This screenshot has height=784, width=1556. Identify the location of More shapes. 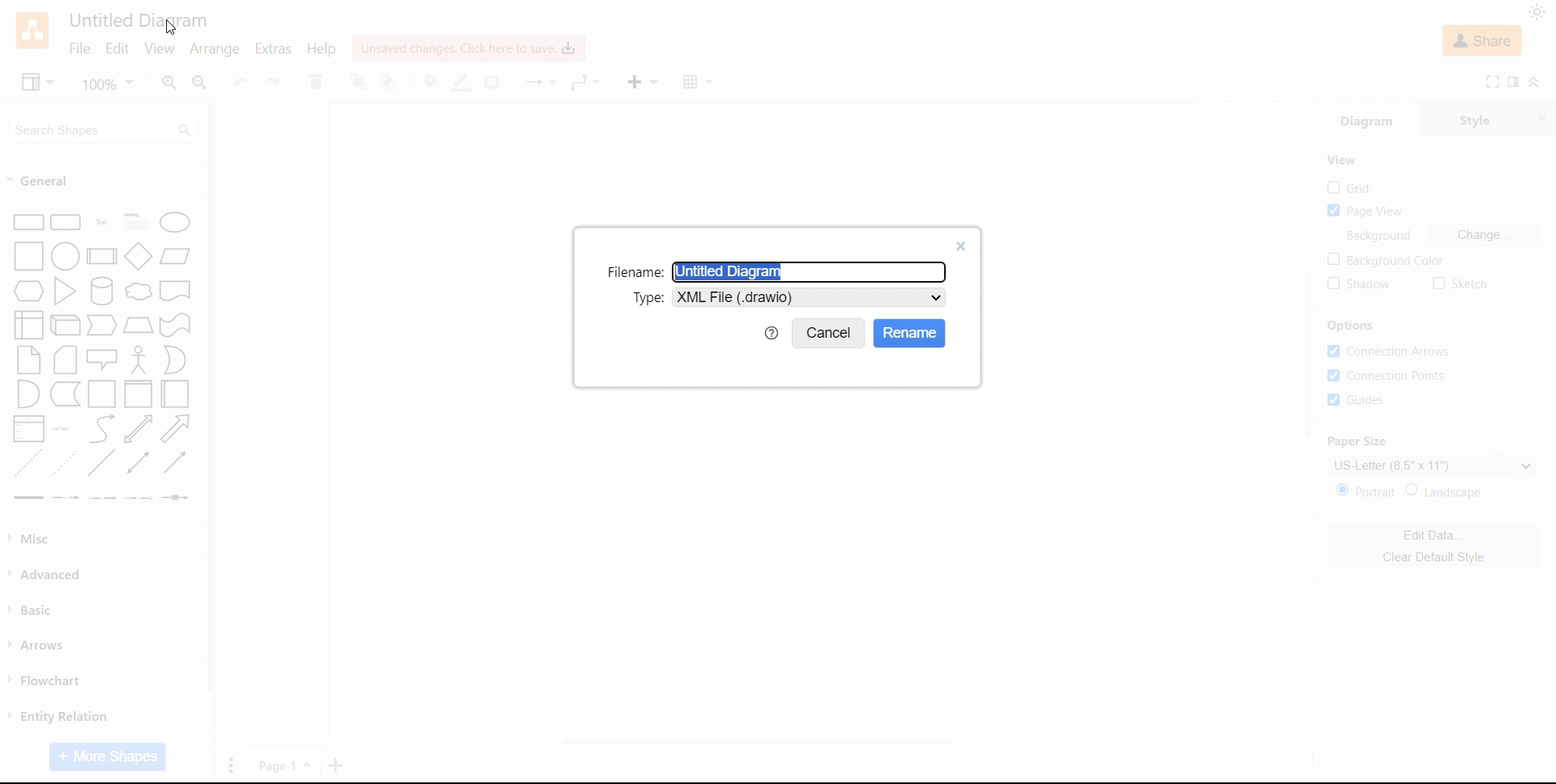
(107, 757).